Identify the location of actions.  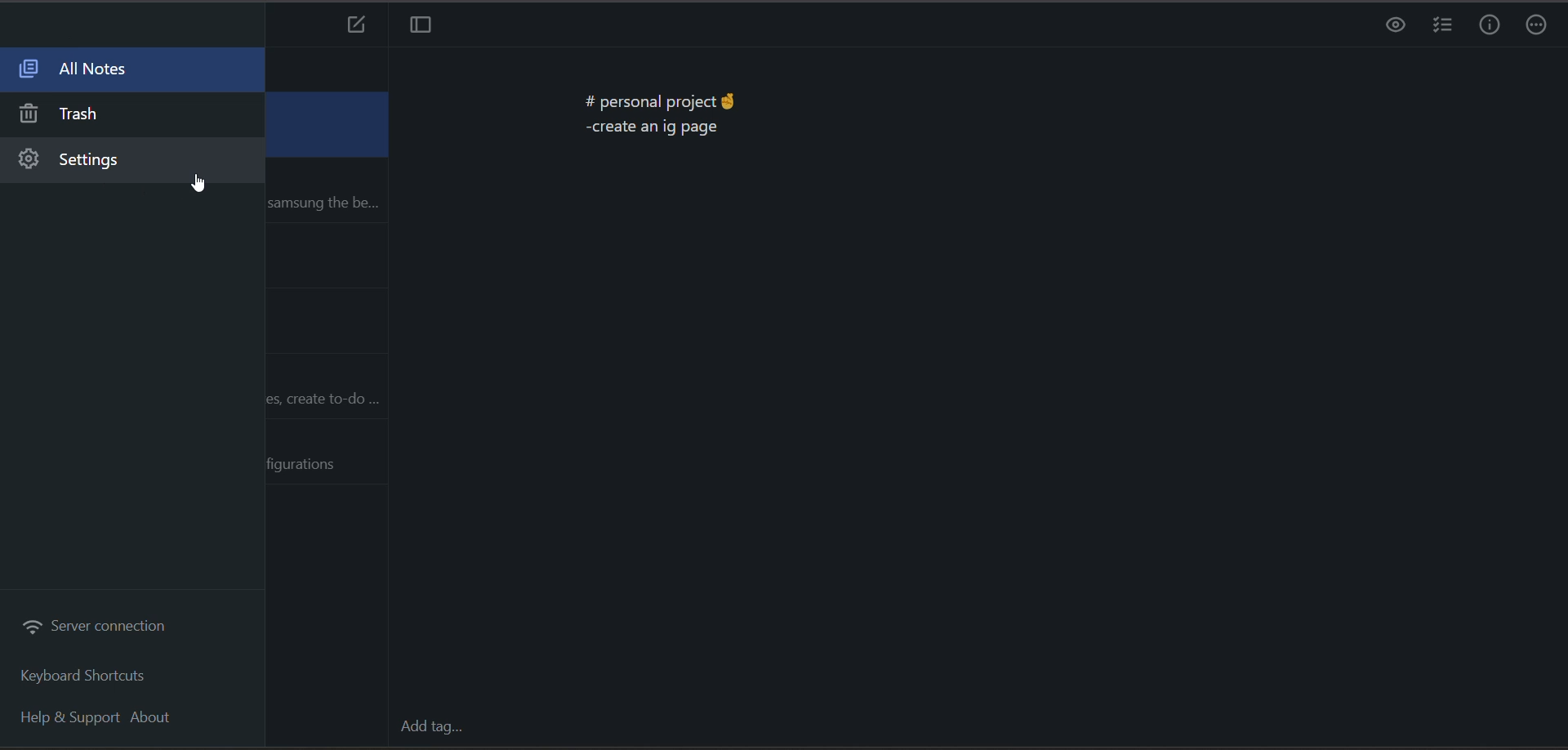
(1537, 27).